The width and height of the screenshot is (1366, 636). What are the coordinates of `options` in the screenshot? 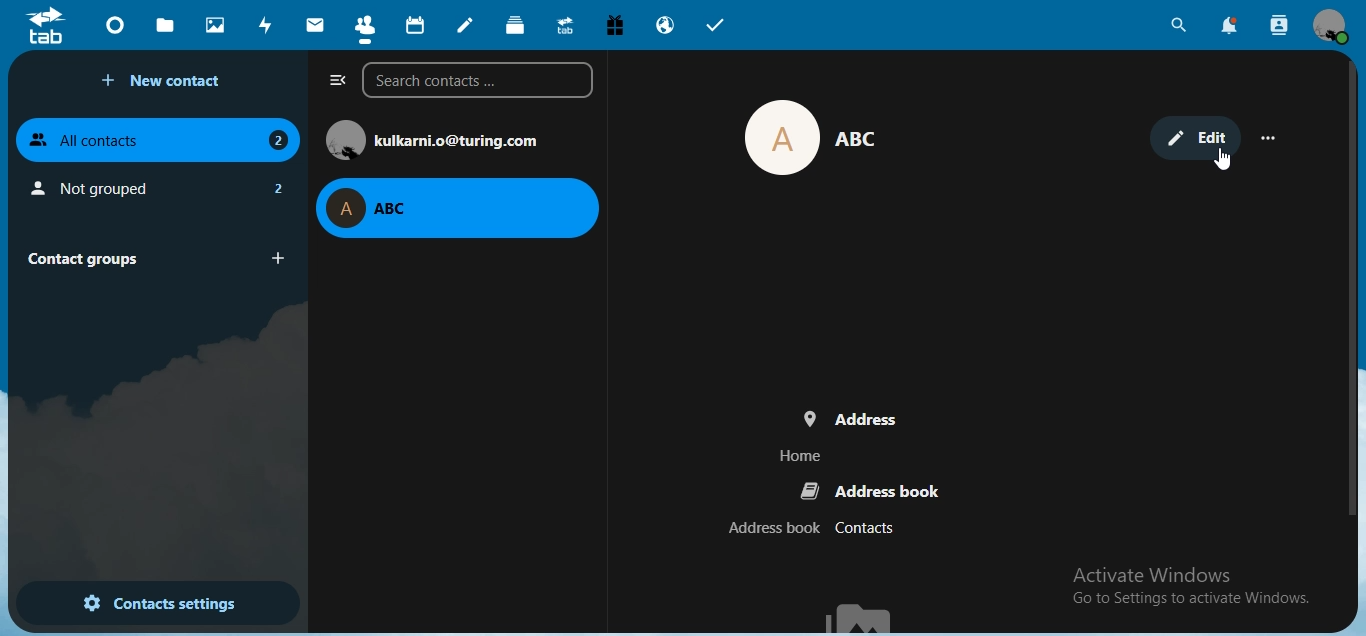 It's located at (1273, 139).